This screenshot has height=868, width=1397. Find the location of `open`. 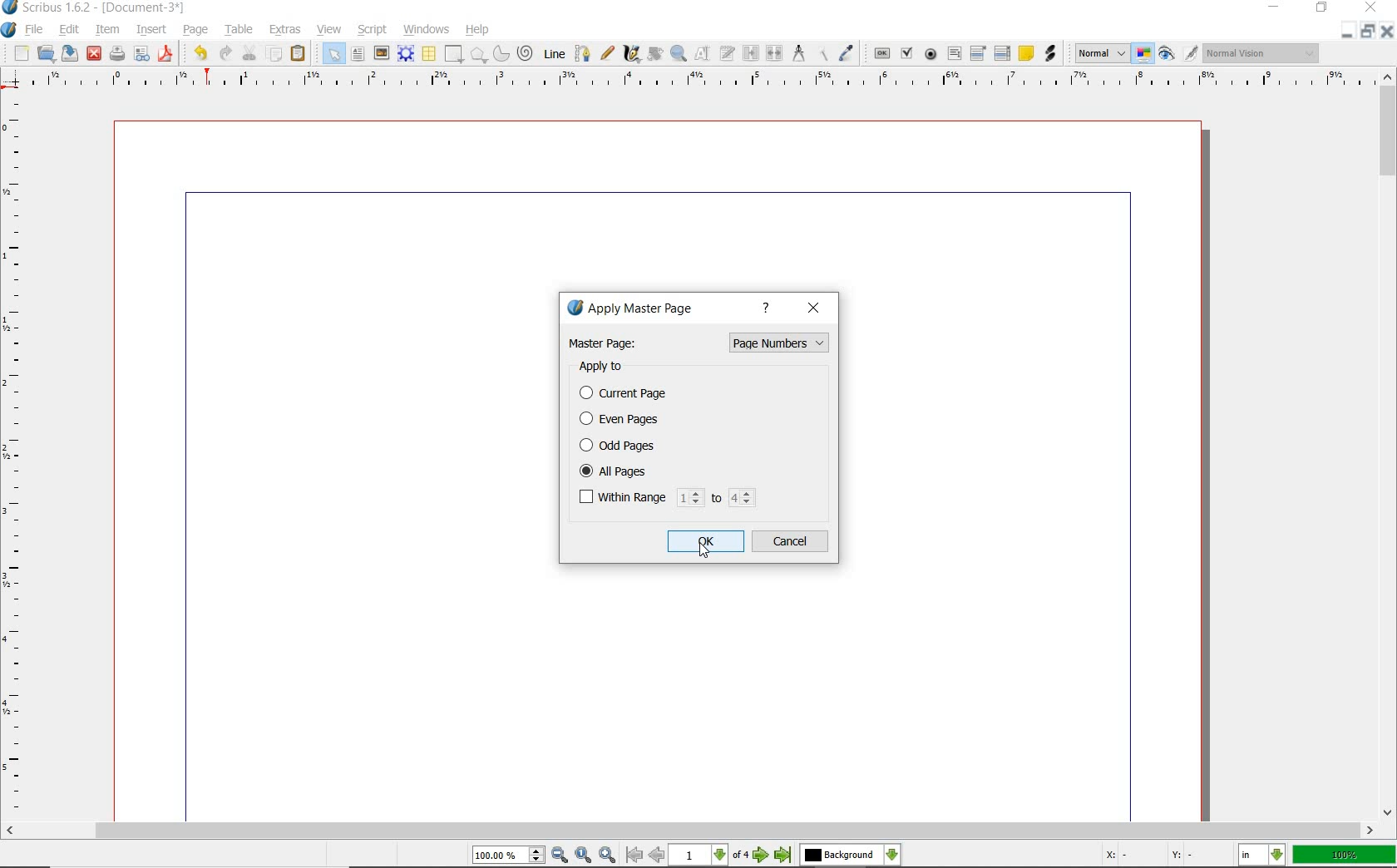

open is located at coordinates (47, 53).